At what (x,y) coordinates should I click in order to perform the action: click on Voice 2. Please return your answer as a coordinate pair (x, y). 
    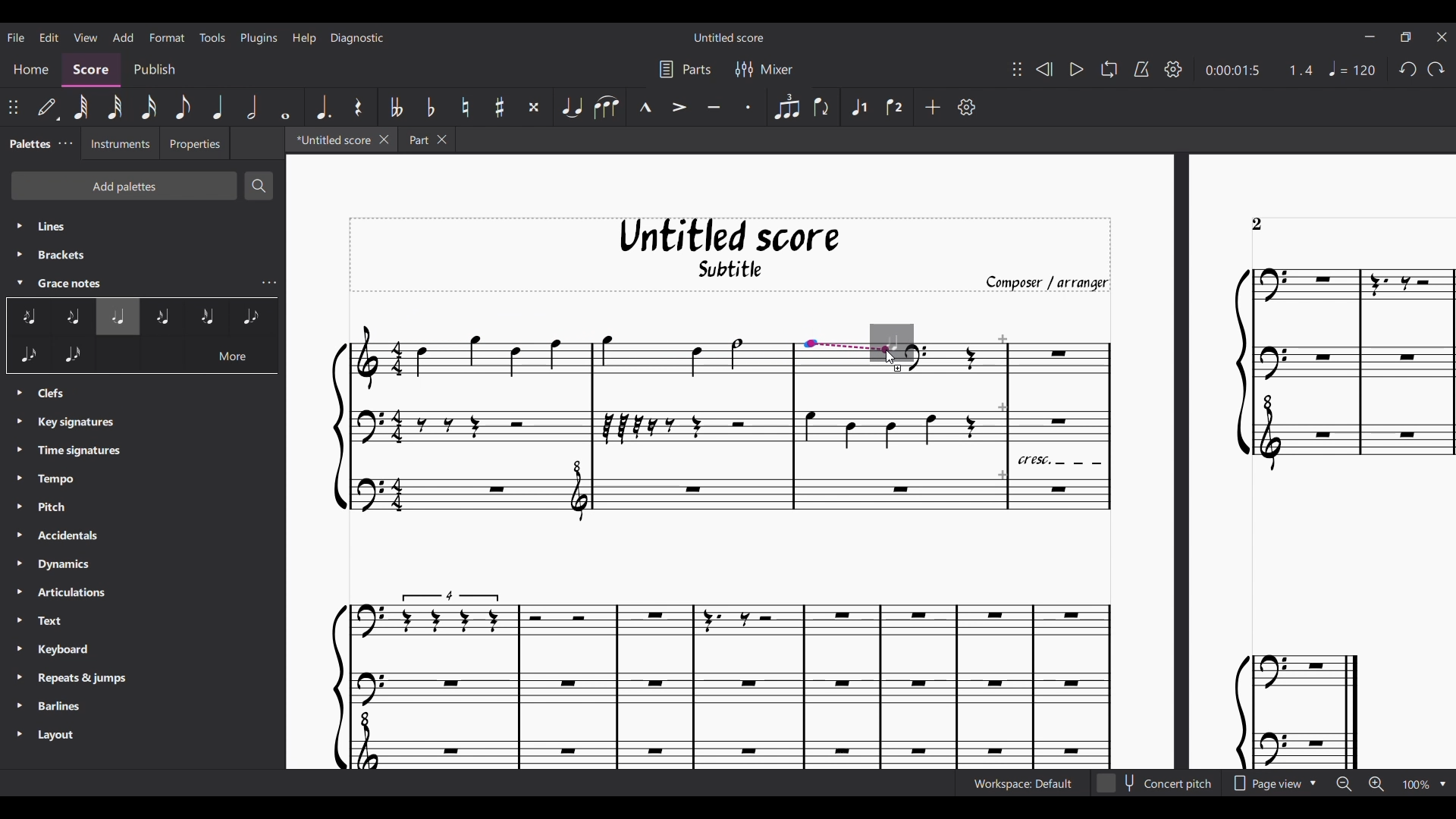
    Looking at the image, I should click on (896, 107).